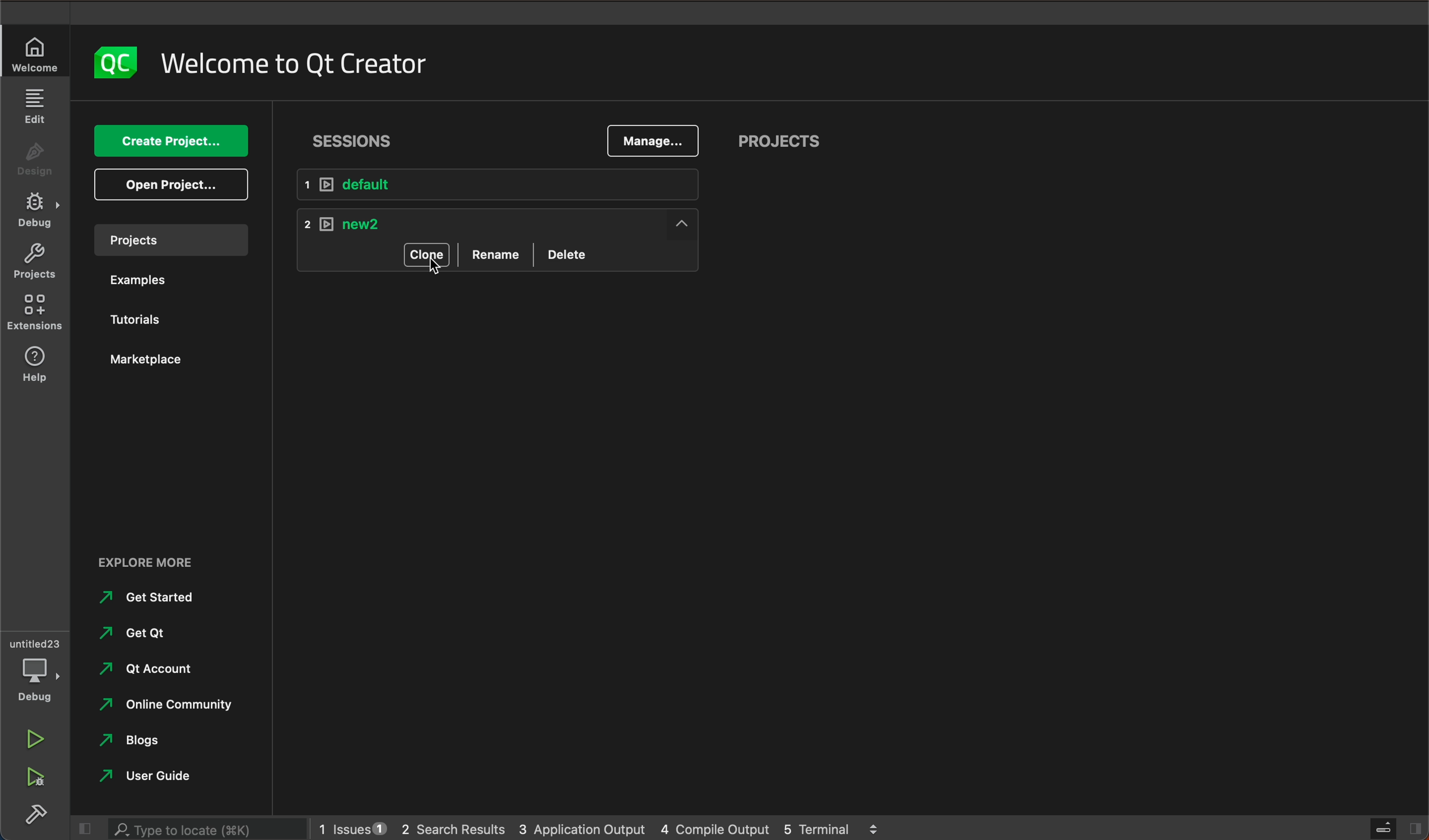  What do you see at coordinates (314, 60) in the screenshot?
I see `welcome to Qt creator` at bounding box center [314, 60].